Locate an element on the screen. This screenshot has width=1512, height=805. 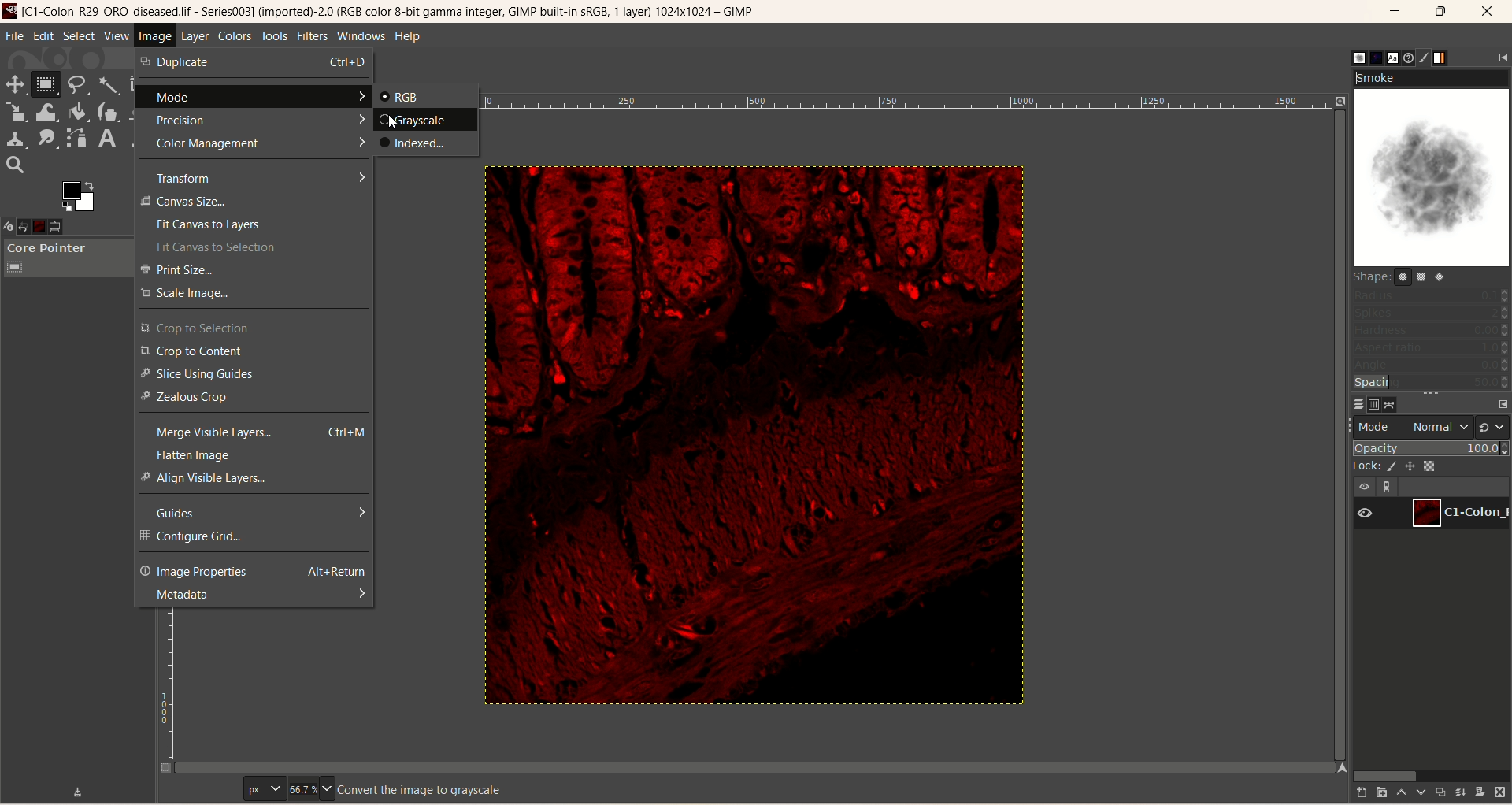
colors is located at coordinates (235, 36).